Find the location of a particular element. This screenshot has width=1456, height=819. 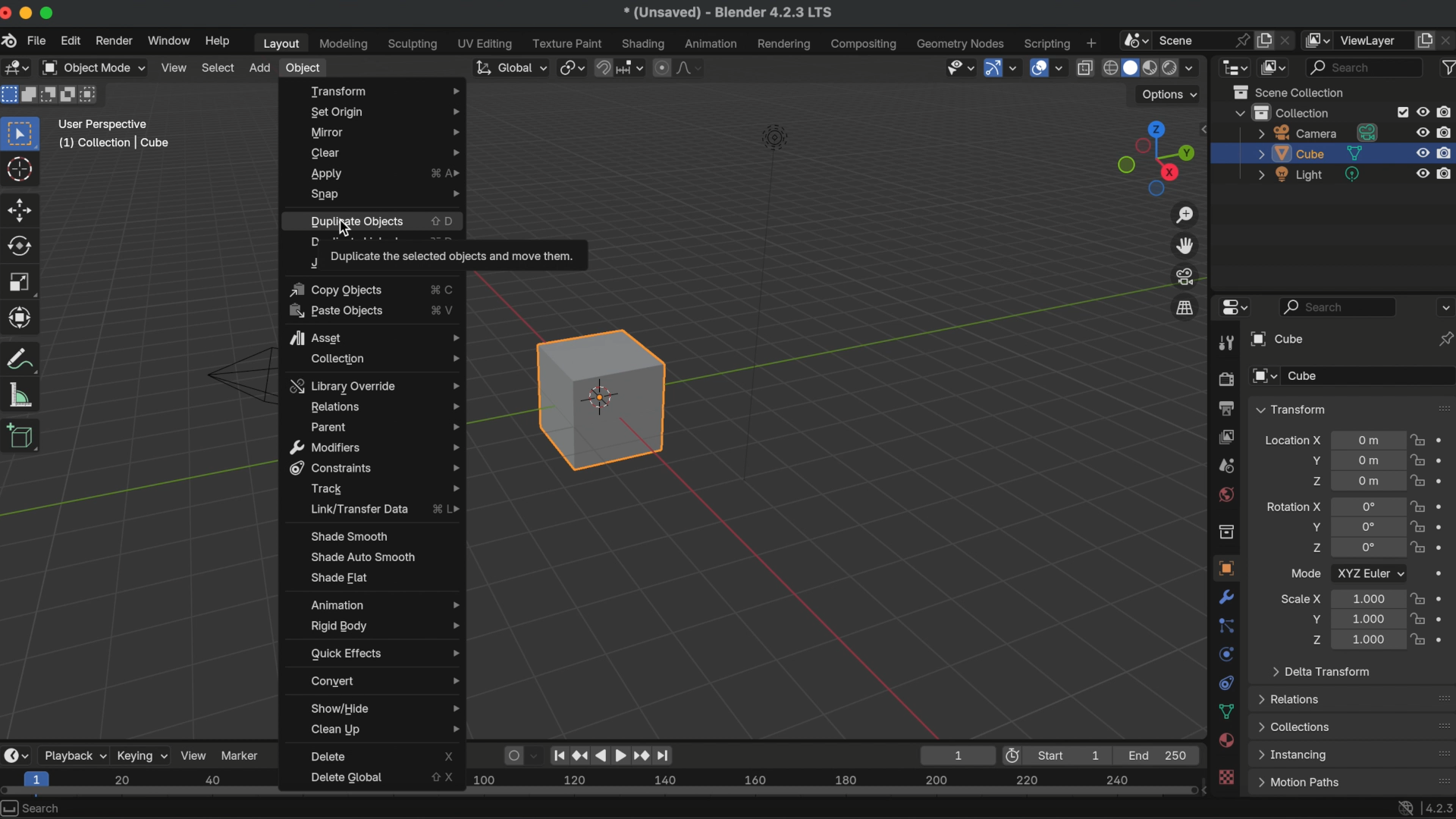

scene is located at coordinates (1225, 466).